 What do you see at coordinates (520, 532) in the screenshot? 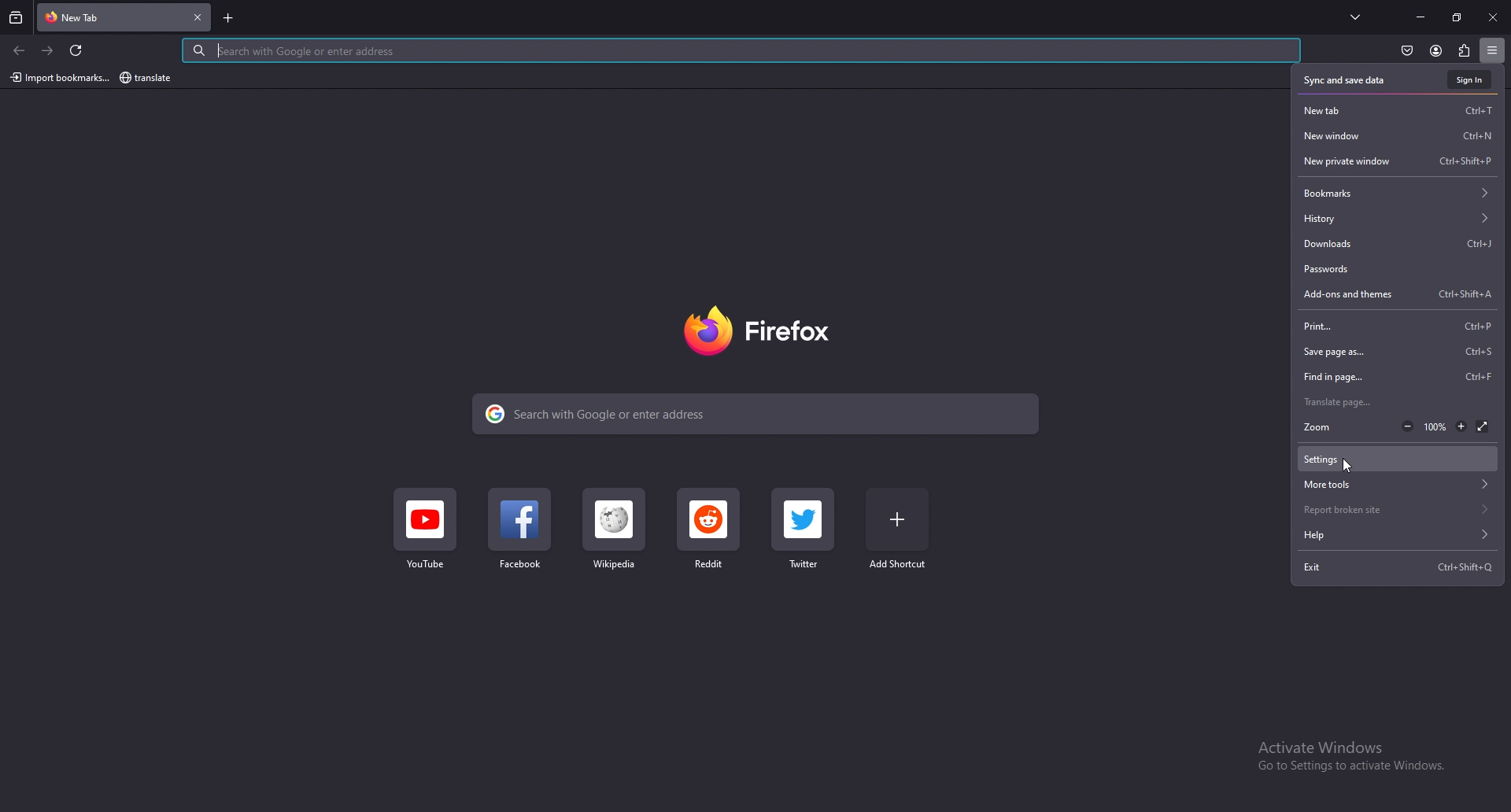
I see `facebook` at bounding box center [520, 532].